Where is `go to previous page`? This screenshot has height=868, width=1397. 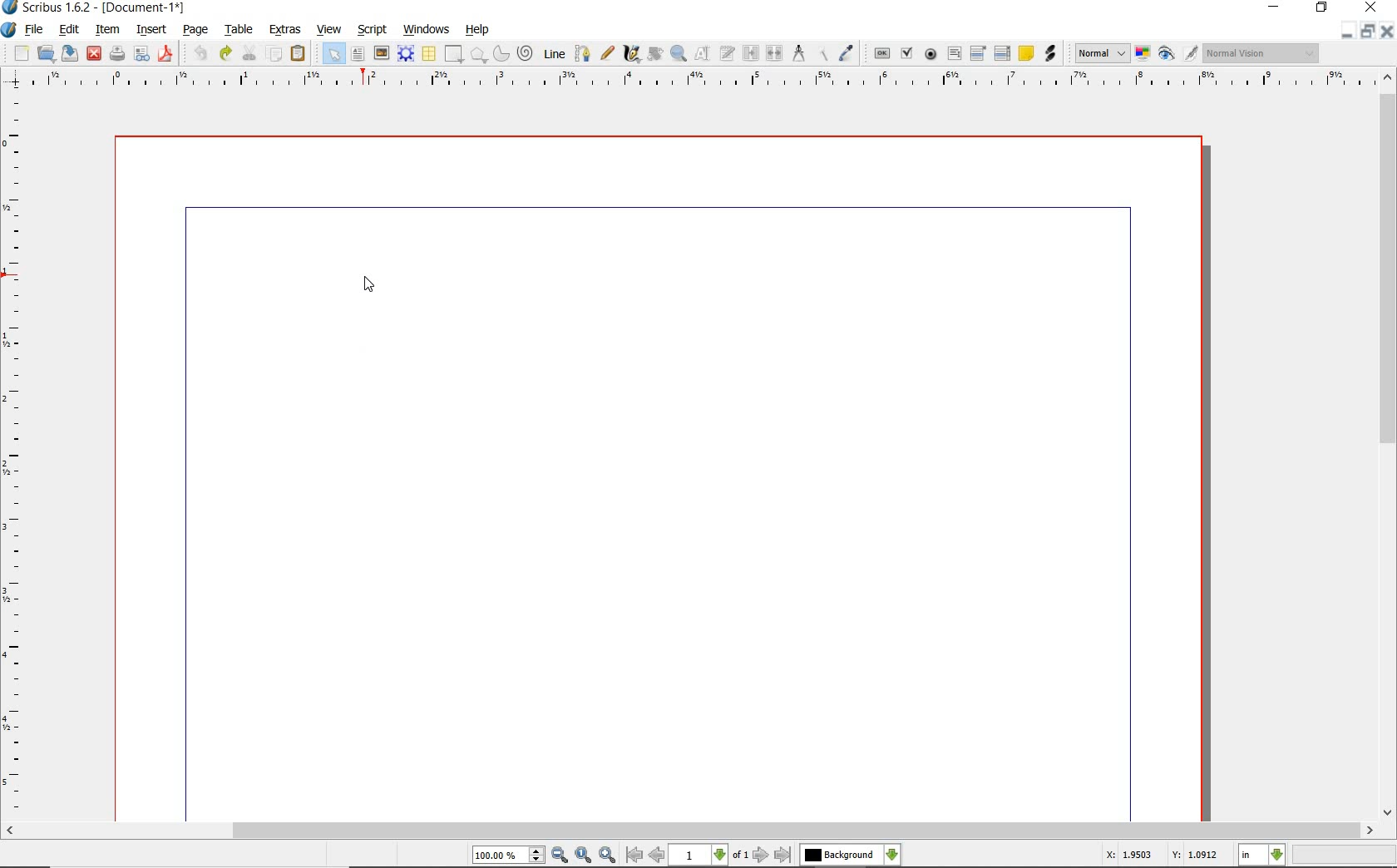
go to previous page is located at coordinates (656, 856).